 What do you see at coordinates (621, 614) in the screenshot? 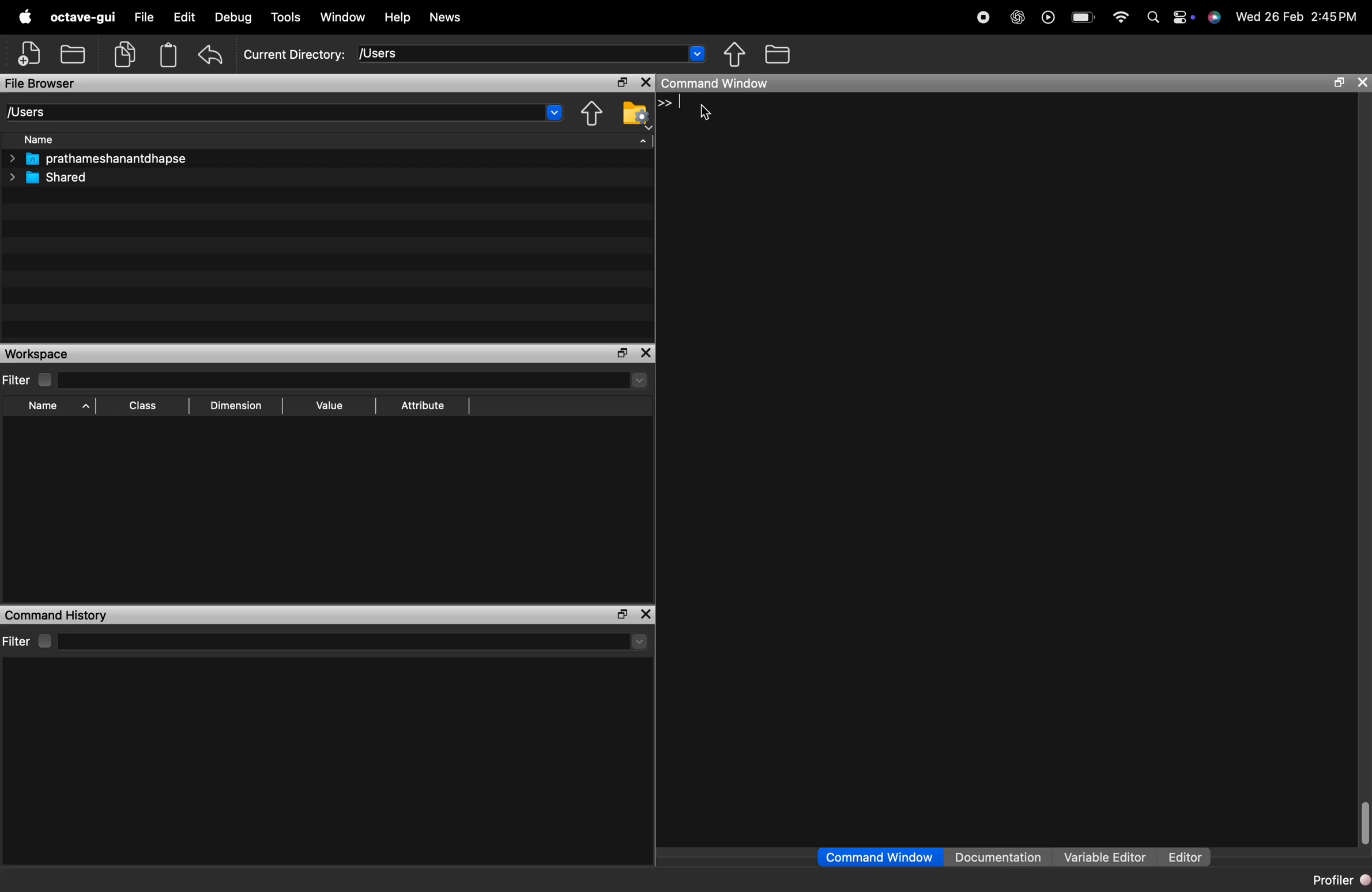
I see `maximise` at bounding box center [621, 614].